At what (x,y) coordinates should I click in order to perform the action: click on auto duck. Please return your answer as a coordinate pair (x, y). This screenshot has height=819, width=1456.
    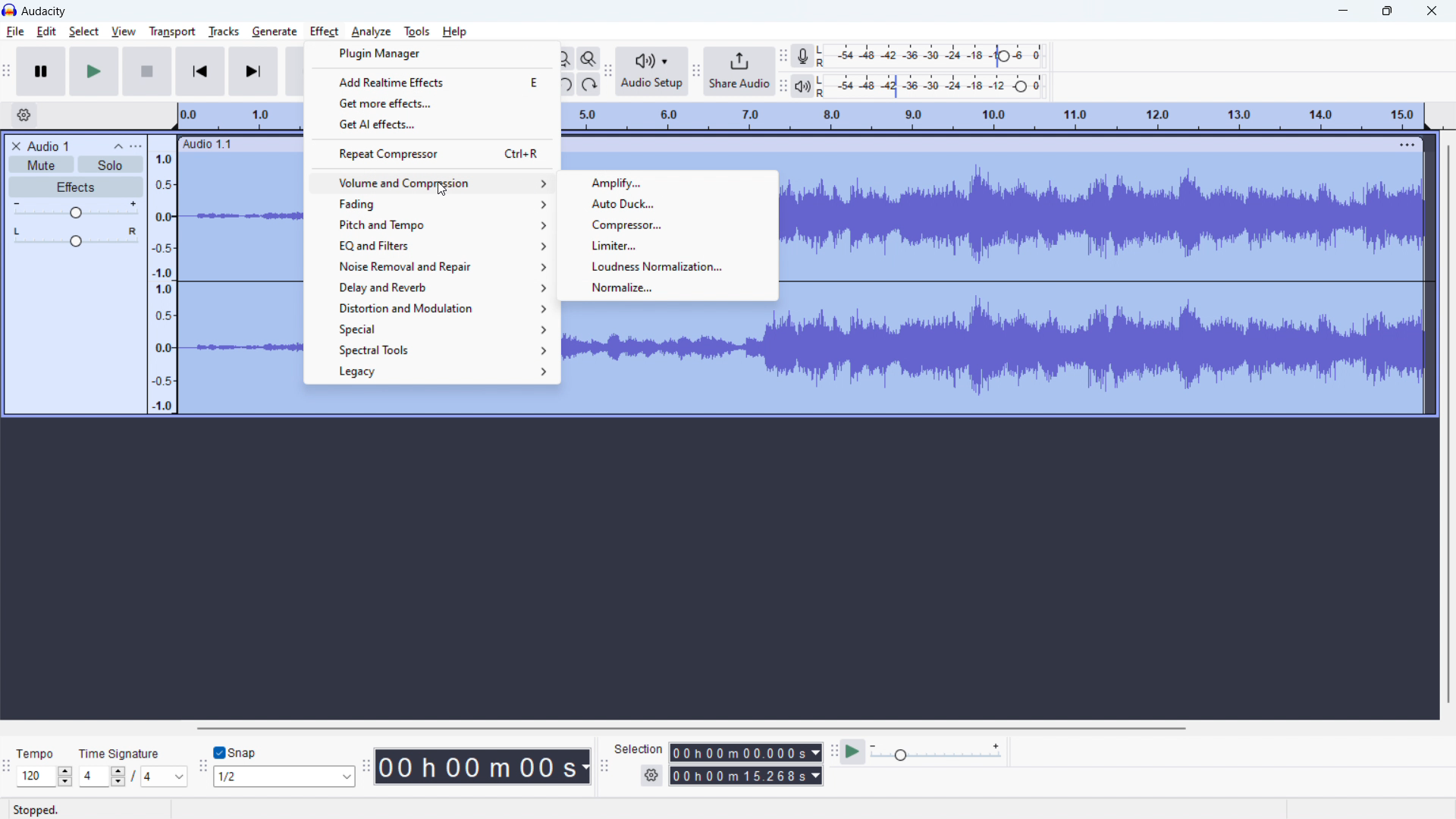
    Looking at the image, I should click on (668, 203).